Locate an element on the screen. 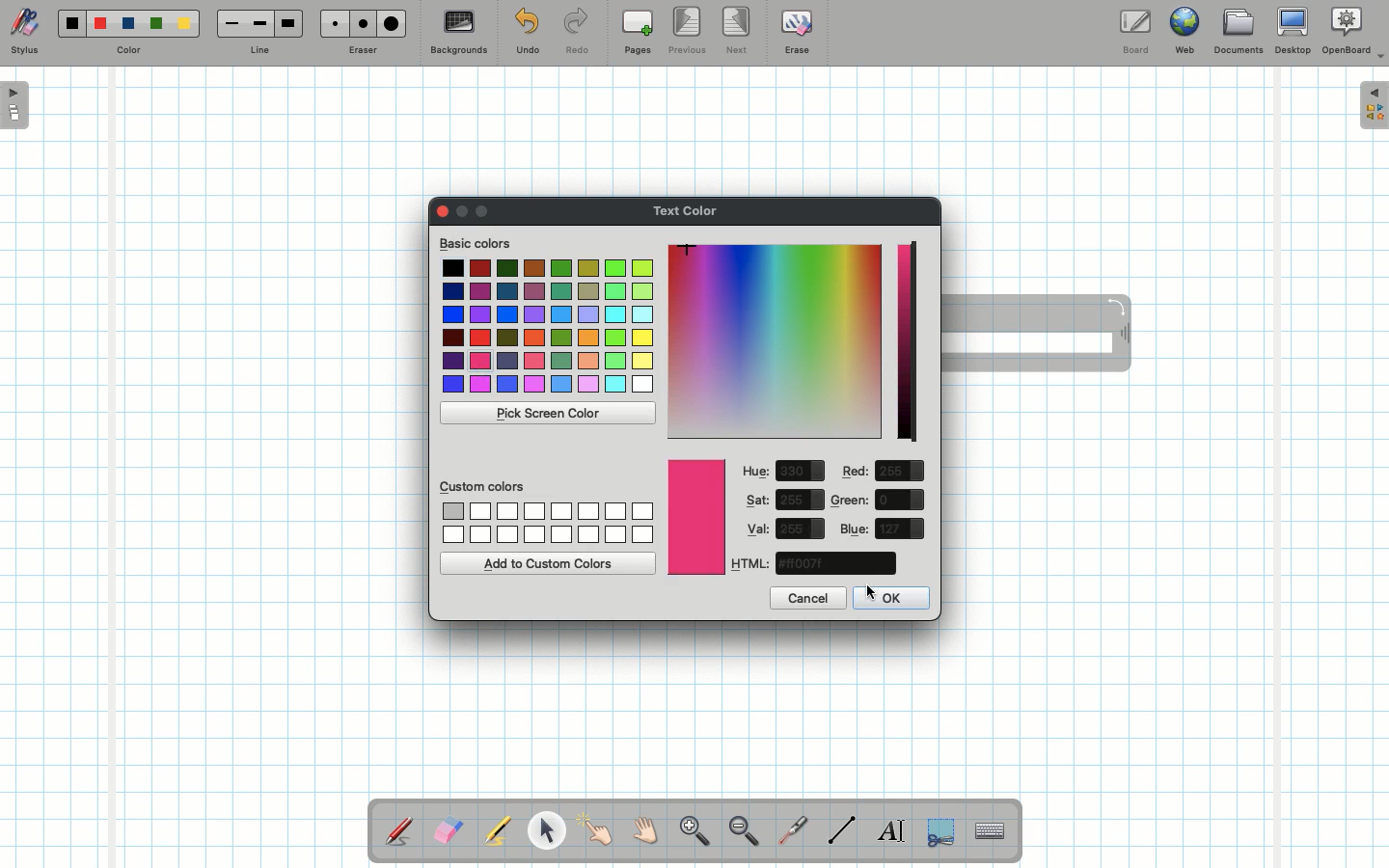 The height and width of the screenshot is (868, 1389). value is located at coordinates (801, 472).